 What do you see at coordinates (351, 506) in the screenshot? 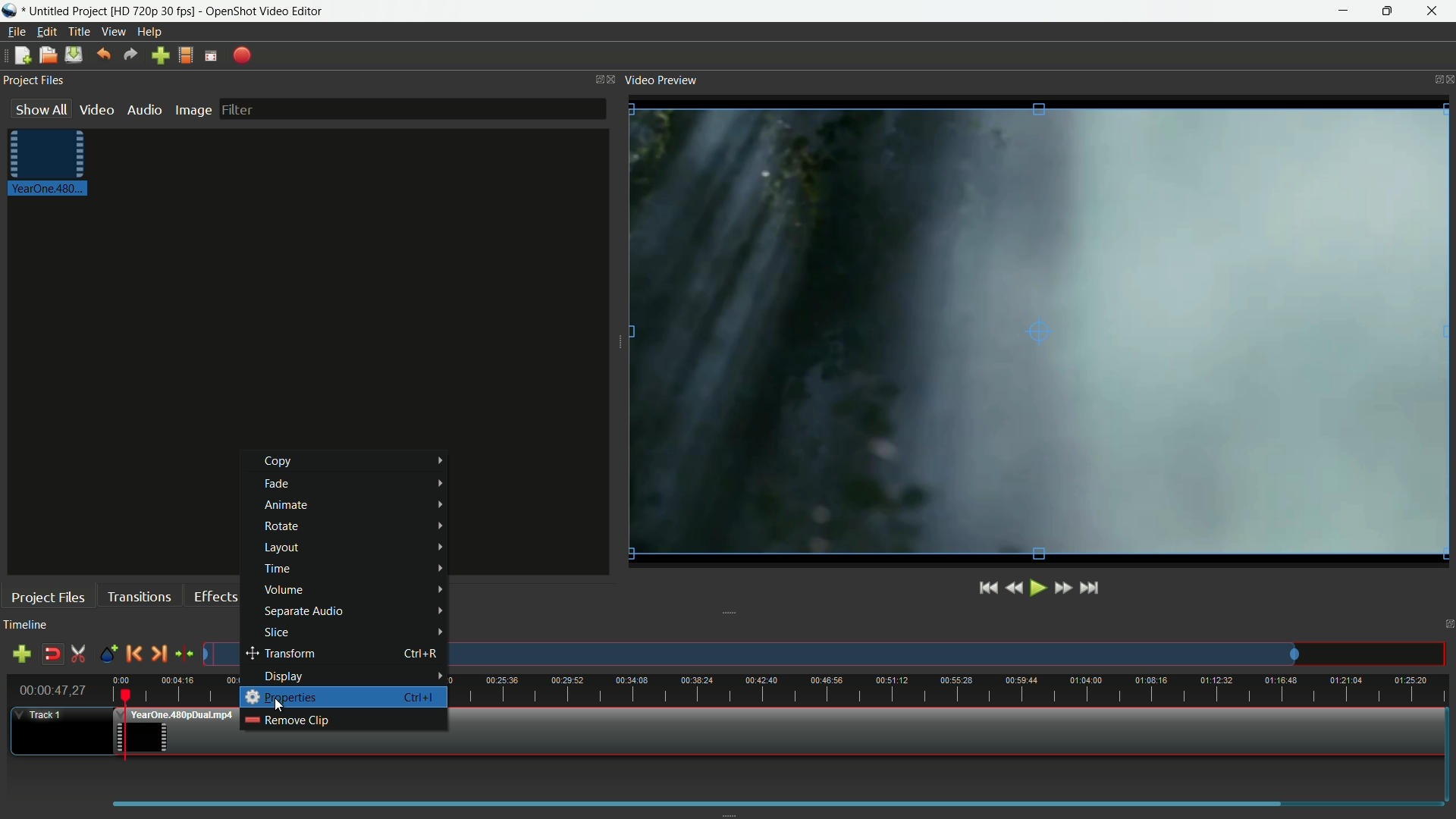
I see `animate` at bounding box center [351, 506].